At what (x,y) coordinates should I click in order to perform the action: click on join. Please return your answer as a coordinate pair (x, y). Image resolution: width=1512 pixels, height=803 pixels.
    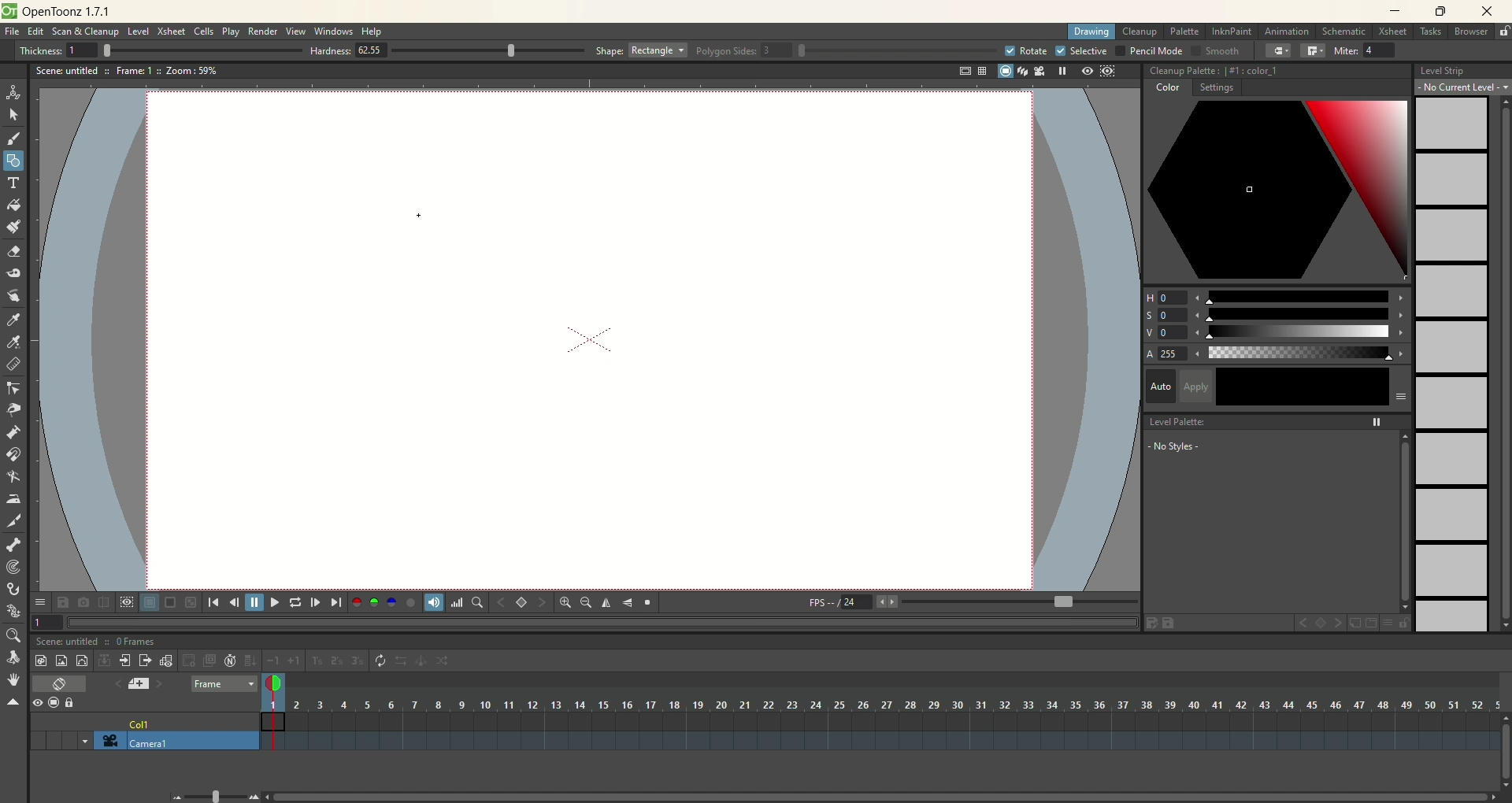
    Looking at the image, I should click on (1313, 51).